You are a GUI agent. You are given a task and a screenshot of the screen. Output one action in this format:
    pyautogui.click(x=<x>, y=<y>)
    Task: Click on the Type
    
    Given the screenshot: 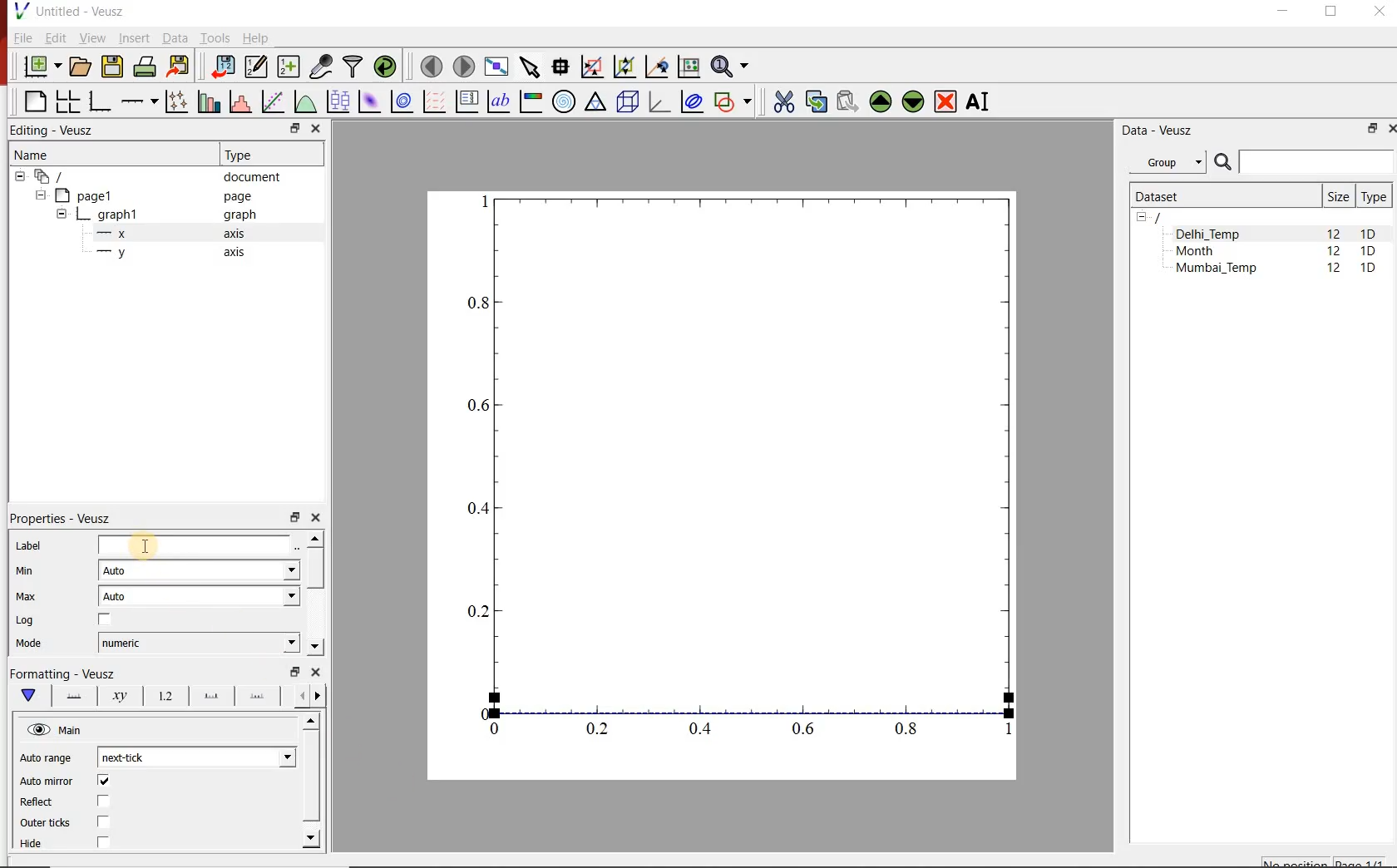 What is the action you would take?
    pyautogui.click(x=1374, y=196)
    